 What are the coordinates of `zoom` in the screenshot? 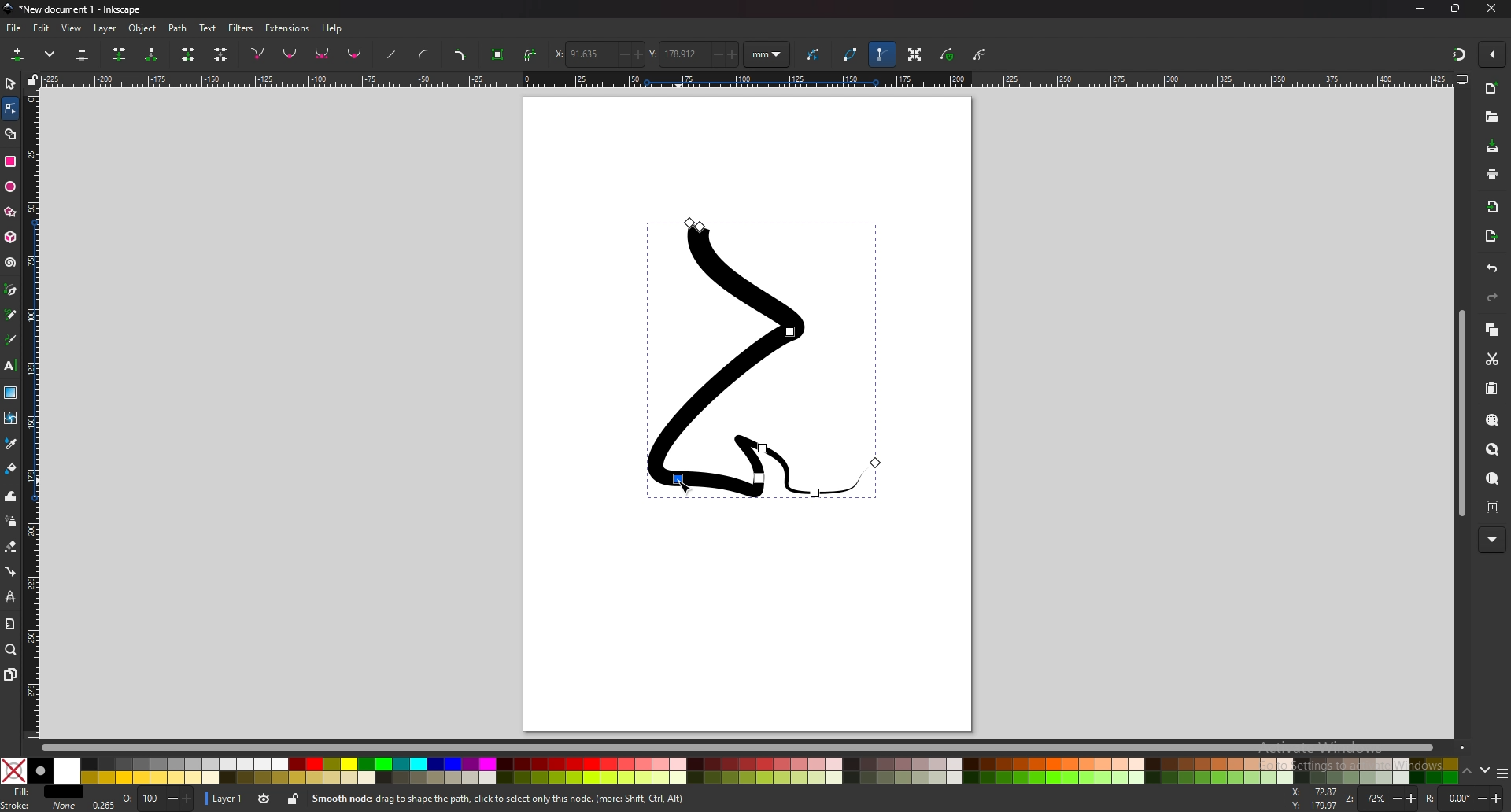 It's located at (12, 651).